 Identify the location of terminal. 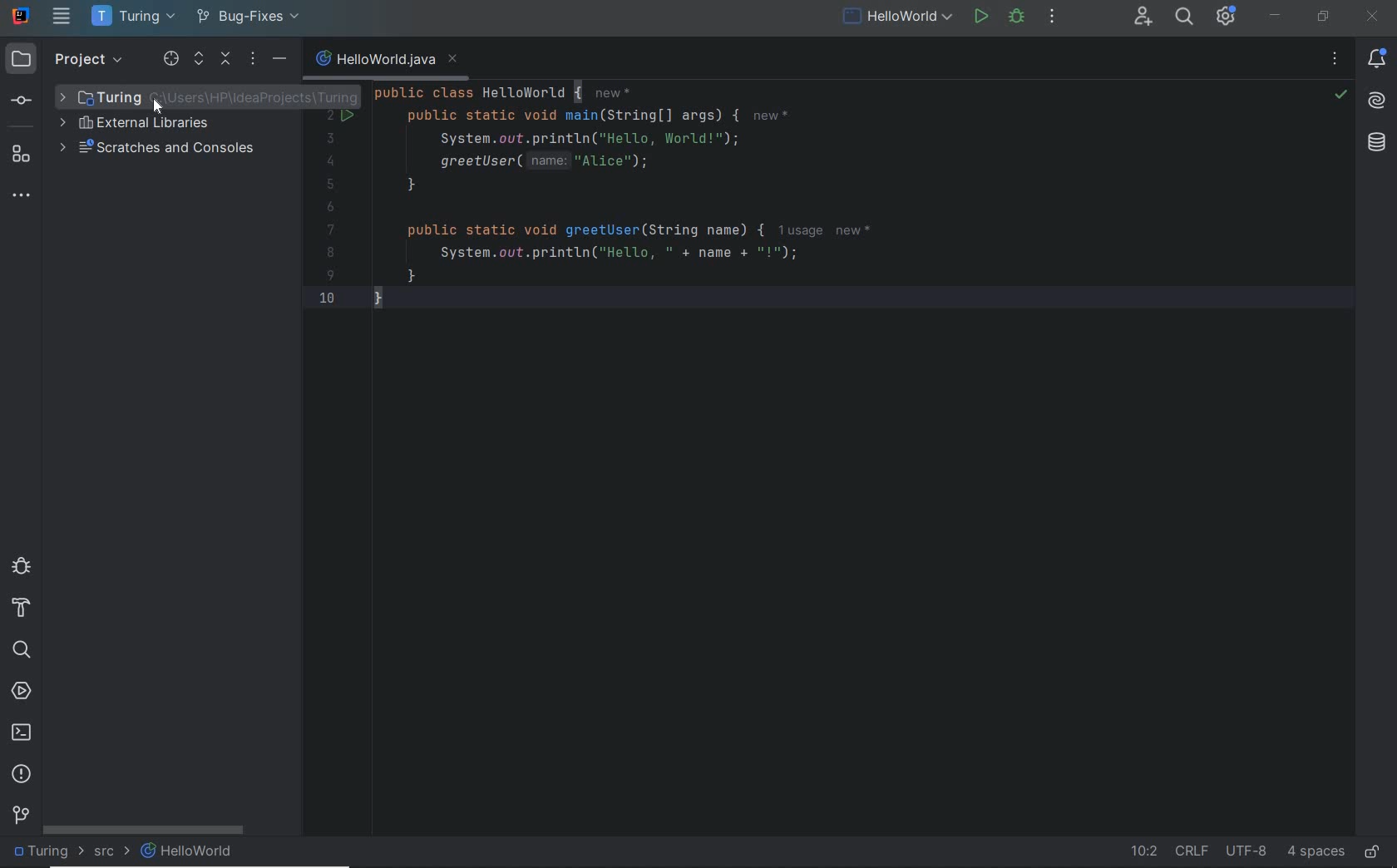
(22, 732).